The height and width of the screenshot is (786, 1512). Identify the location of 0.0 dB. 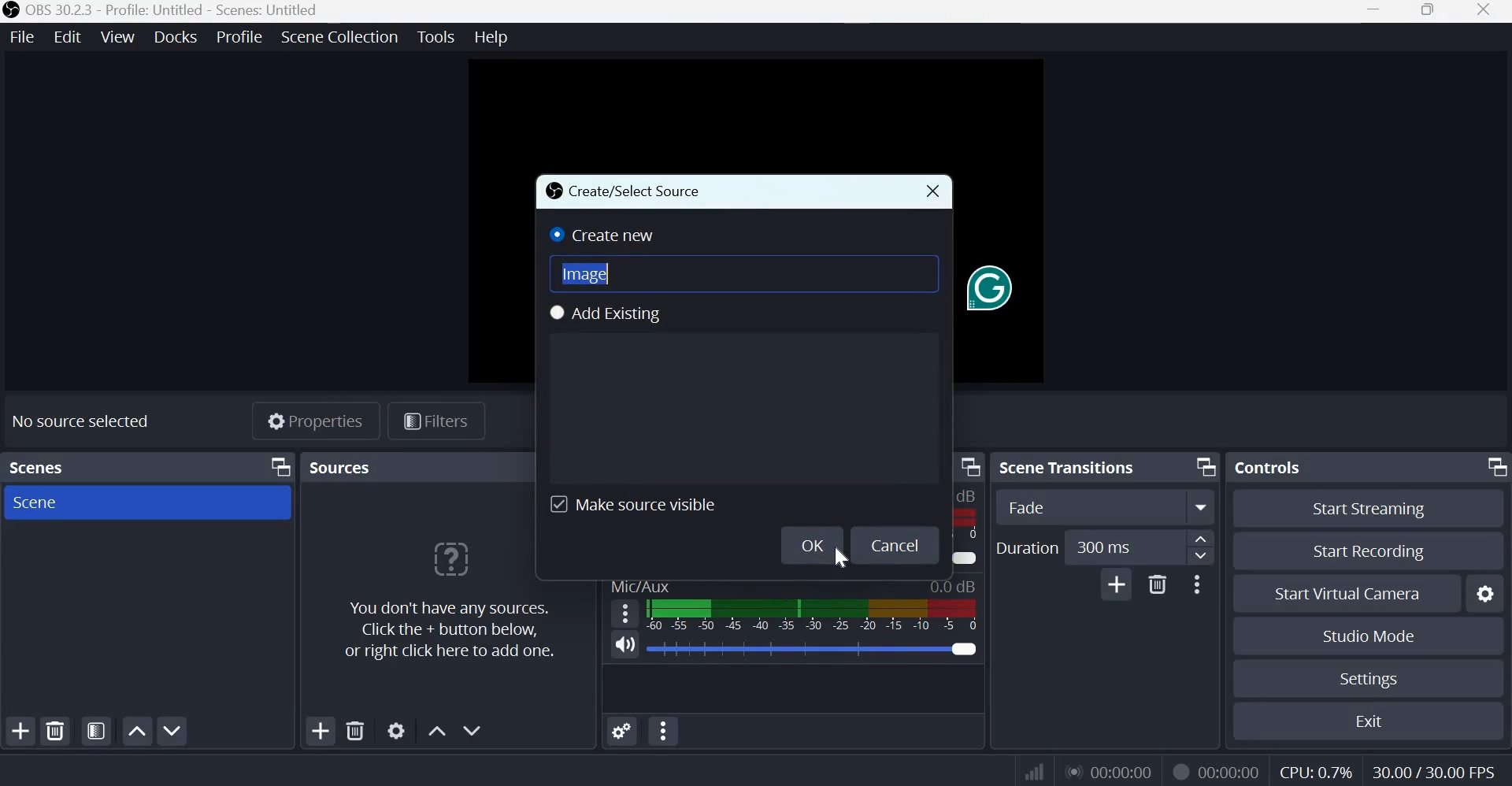
(953, 588).